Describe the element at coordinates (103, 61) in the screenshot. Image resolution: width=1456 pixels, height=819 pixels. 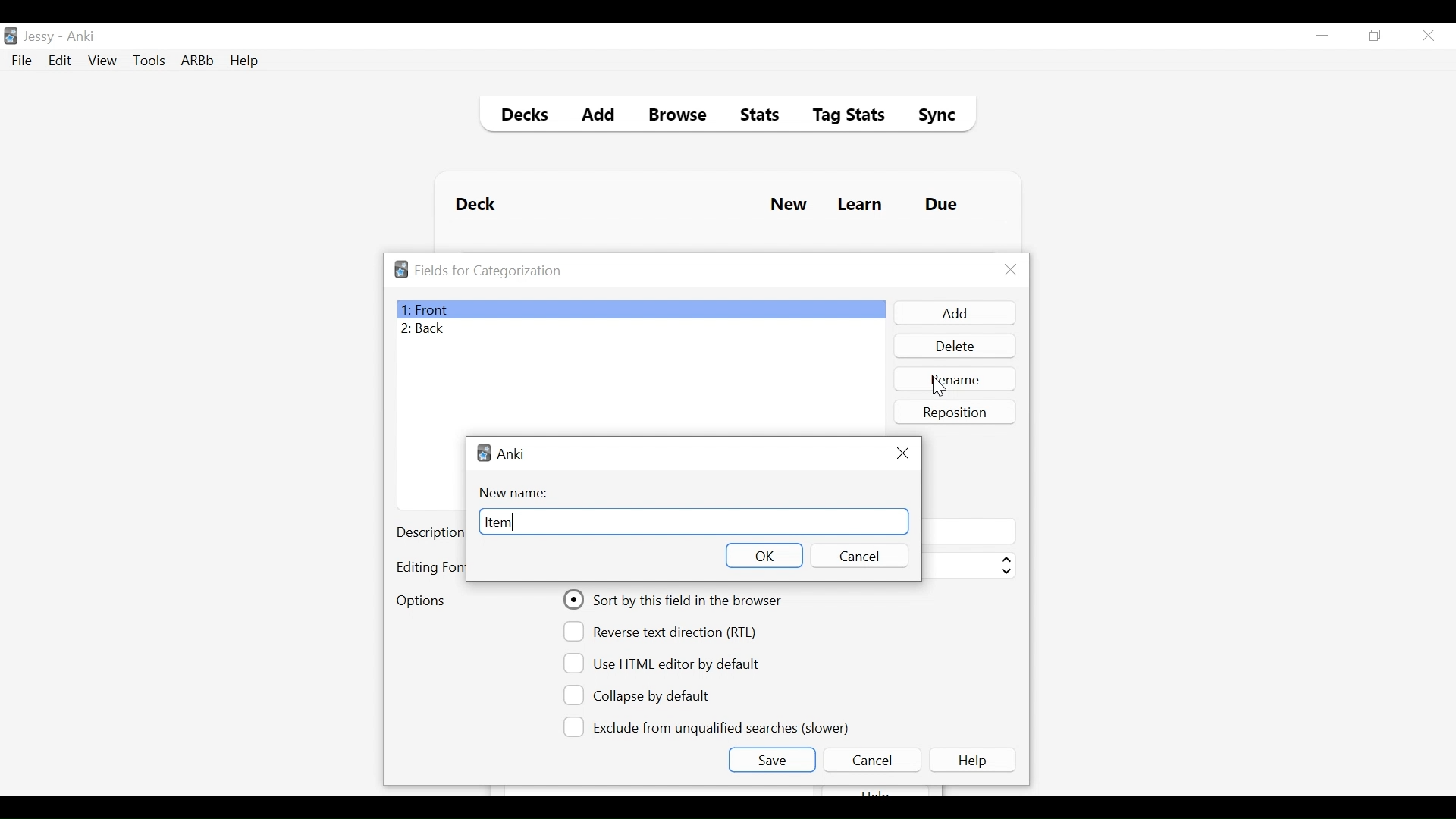
I see `View` at that location.